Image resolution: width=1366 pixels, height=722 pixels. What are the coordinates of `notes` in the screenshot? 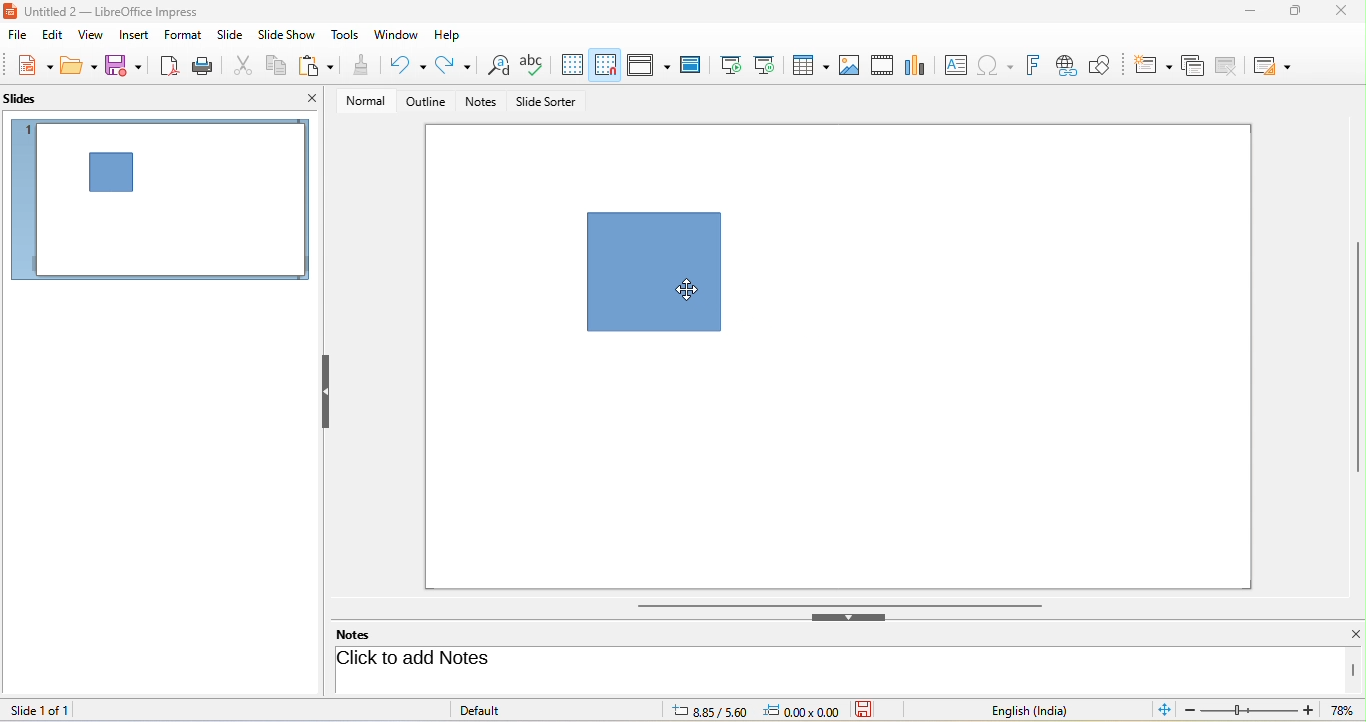 It's located at (483, 103).